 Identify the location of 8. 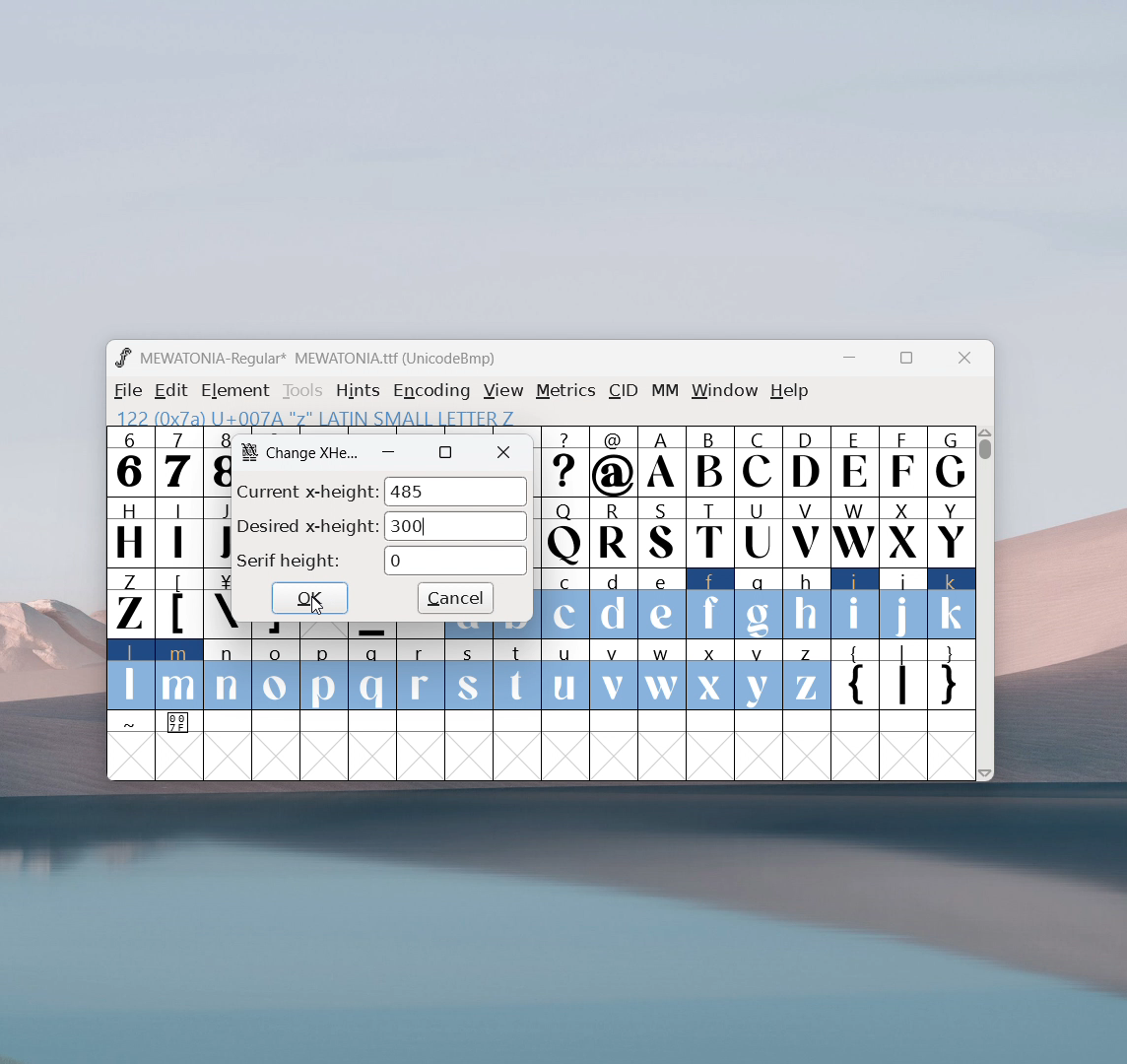
(217, 461).